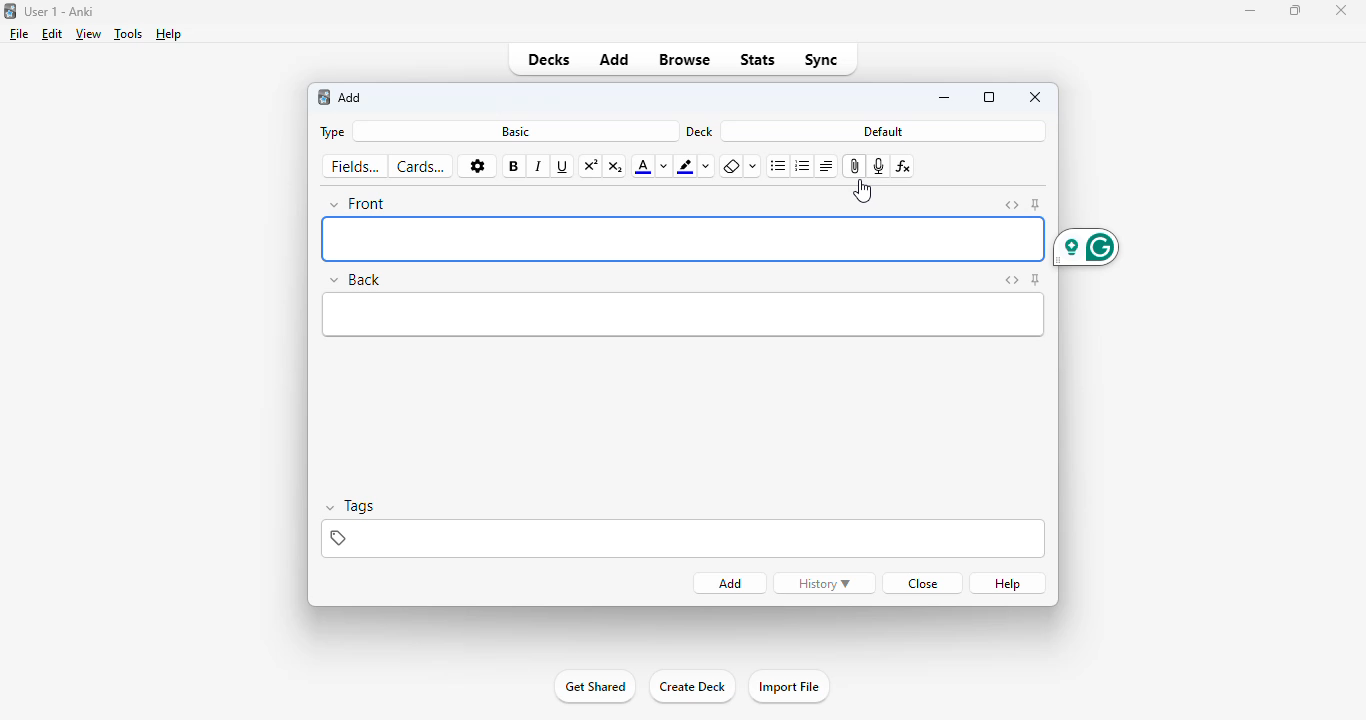 This screenshot has height=720, width=1366. What do you see at coordinates (824, 583) in the screenshot?
I see `history` at bounding box center [824, 583].